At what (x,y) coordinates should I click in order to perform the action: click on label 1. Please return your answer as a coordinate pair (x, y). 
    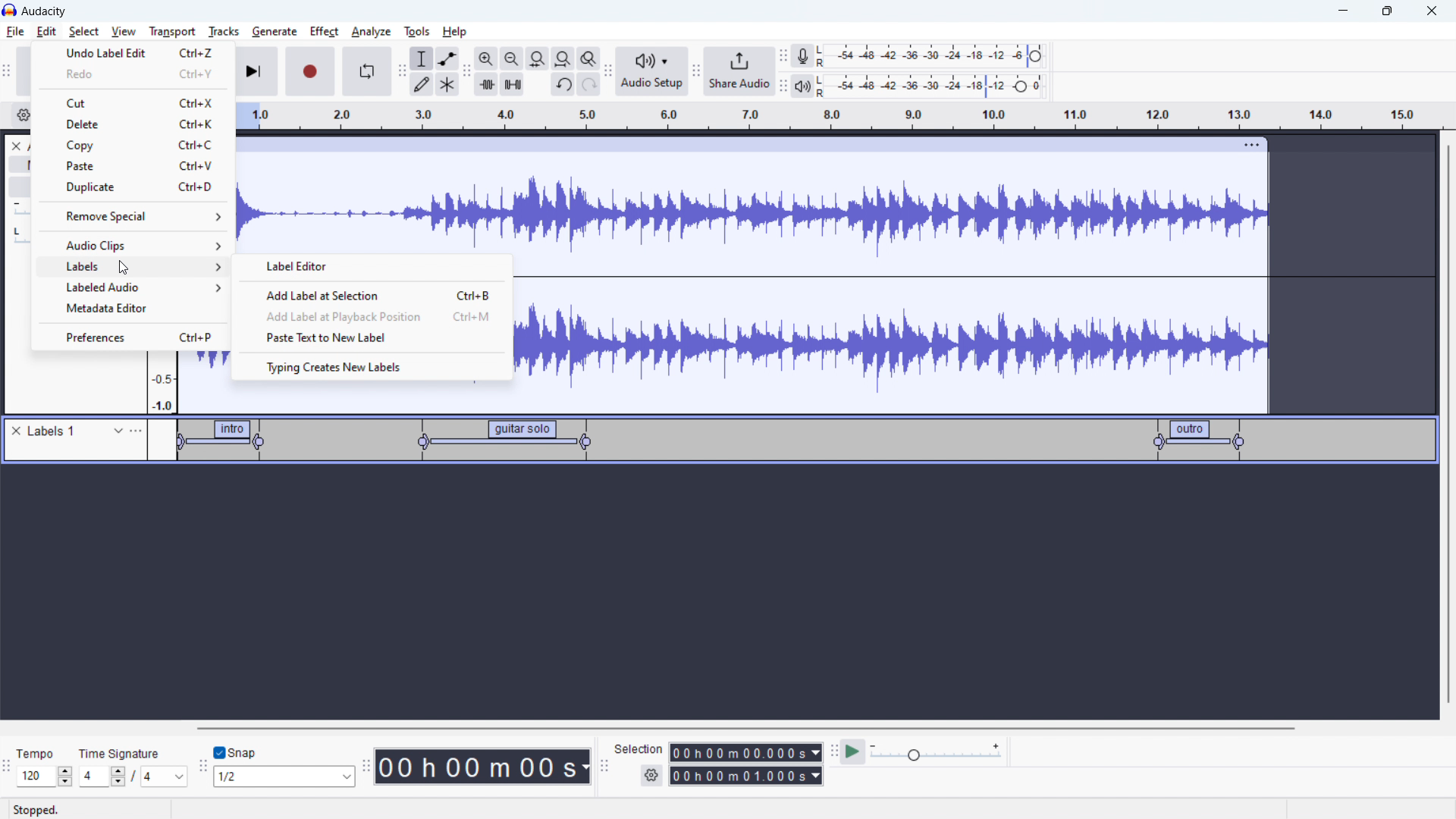
    Looking at the image, I should click on (224, 442).